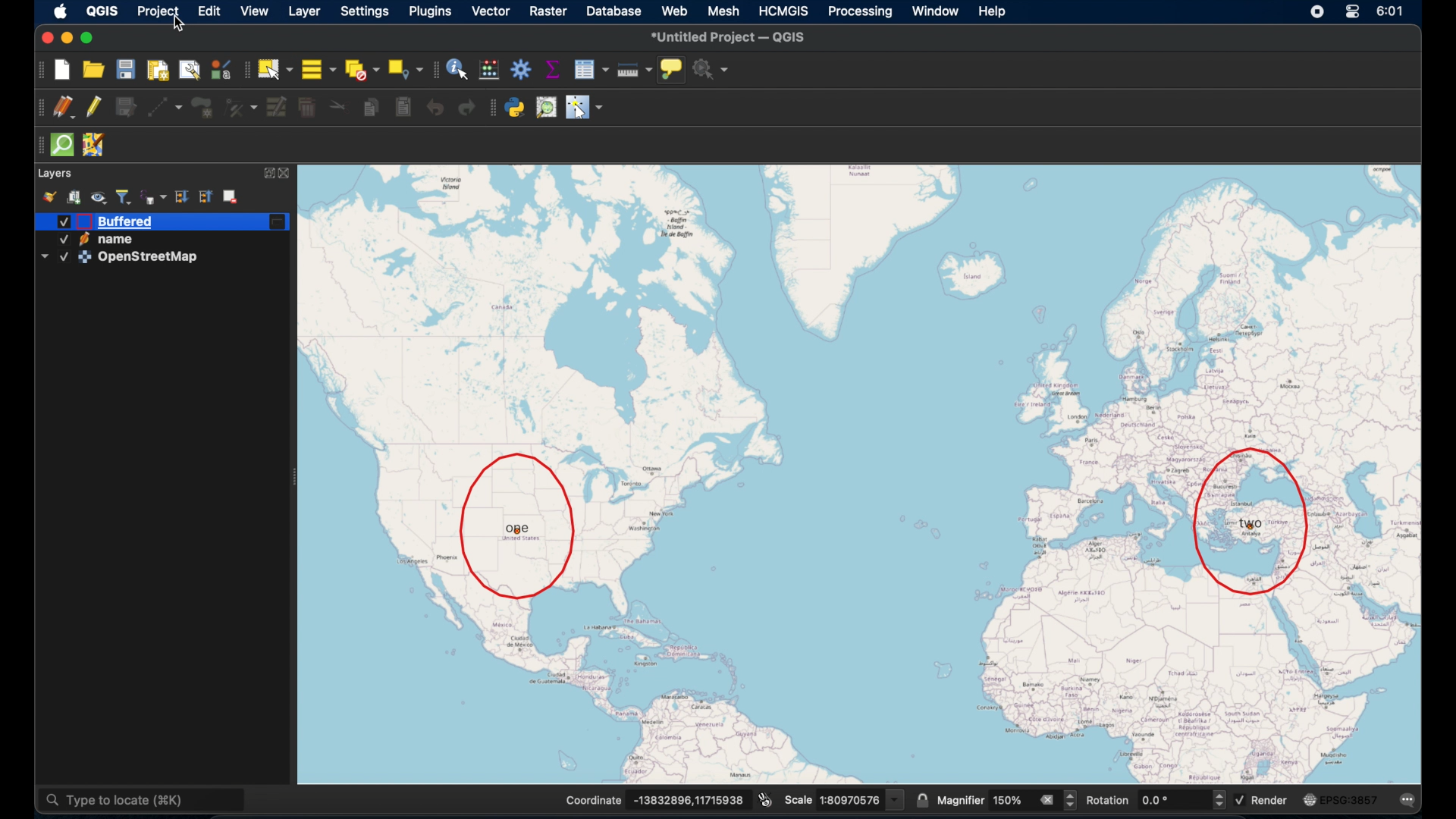 The height and width of the screenshot is (819, 1456). What do you see at coordinates (67, 36) in the screenshot?
I see `minimize ` at bounding box center [67, 36].